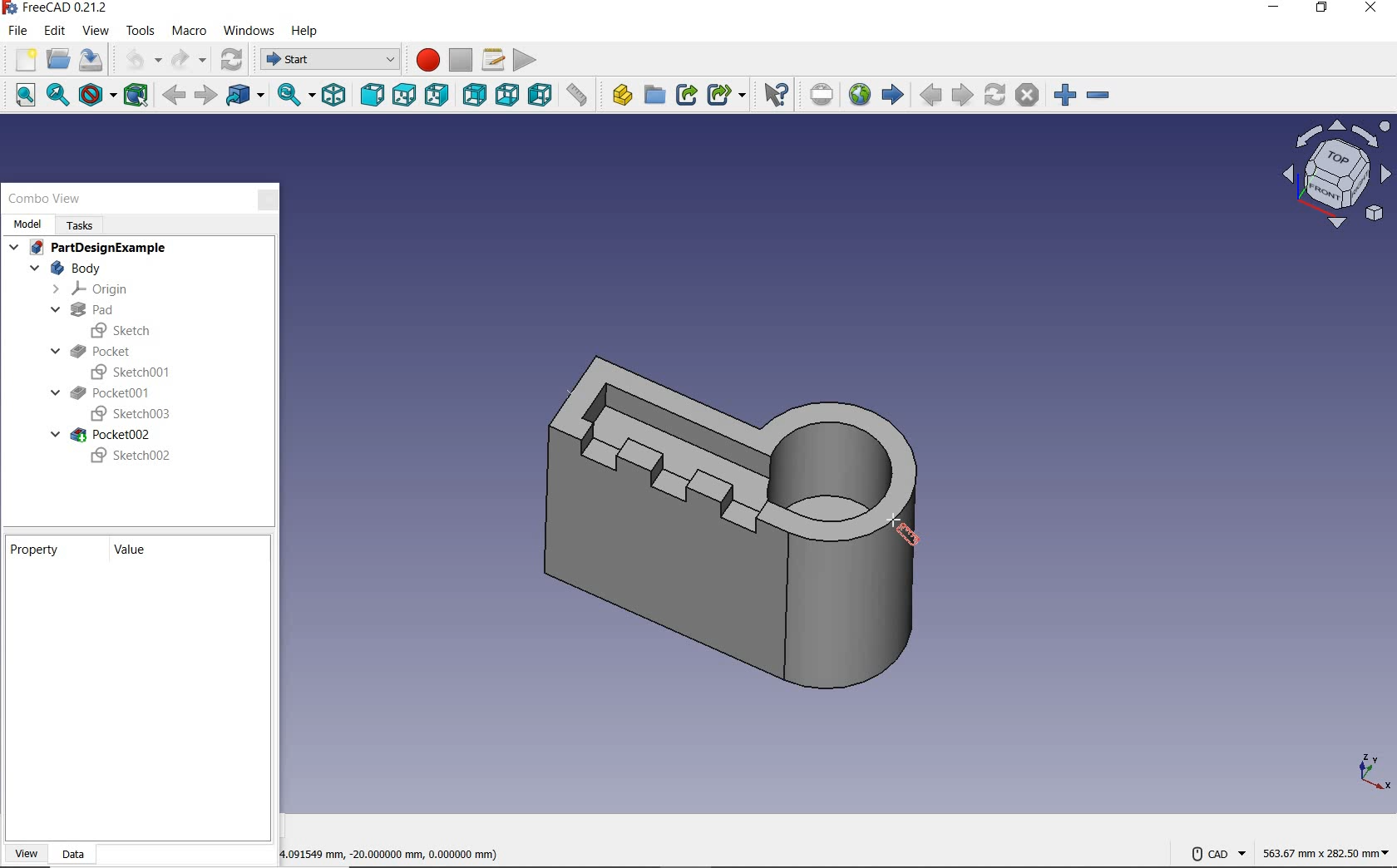  I want to click on macro recording, so click(423, 60).